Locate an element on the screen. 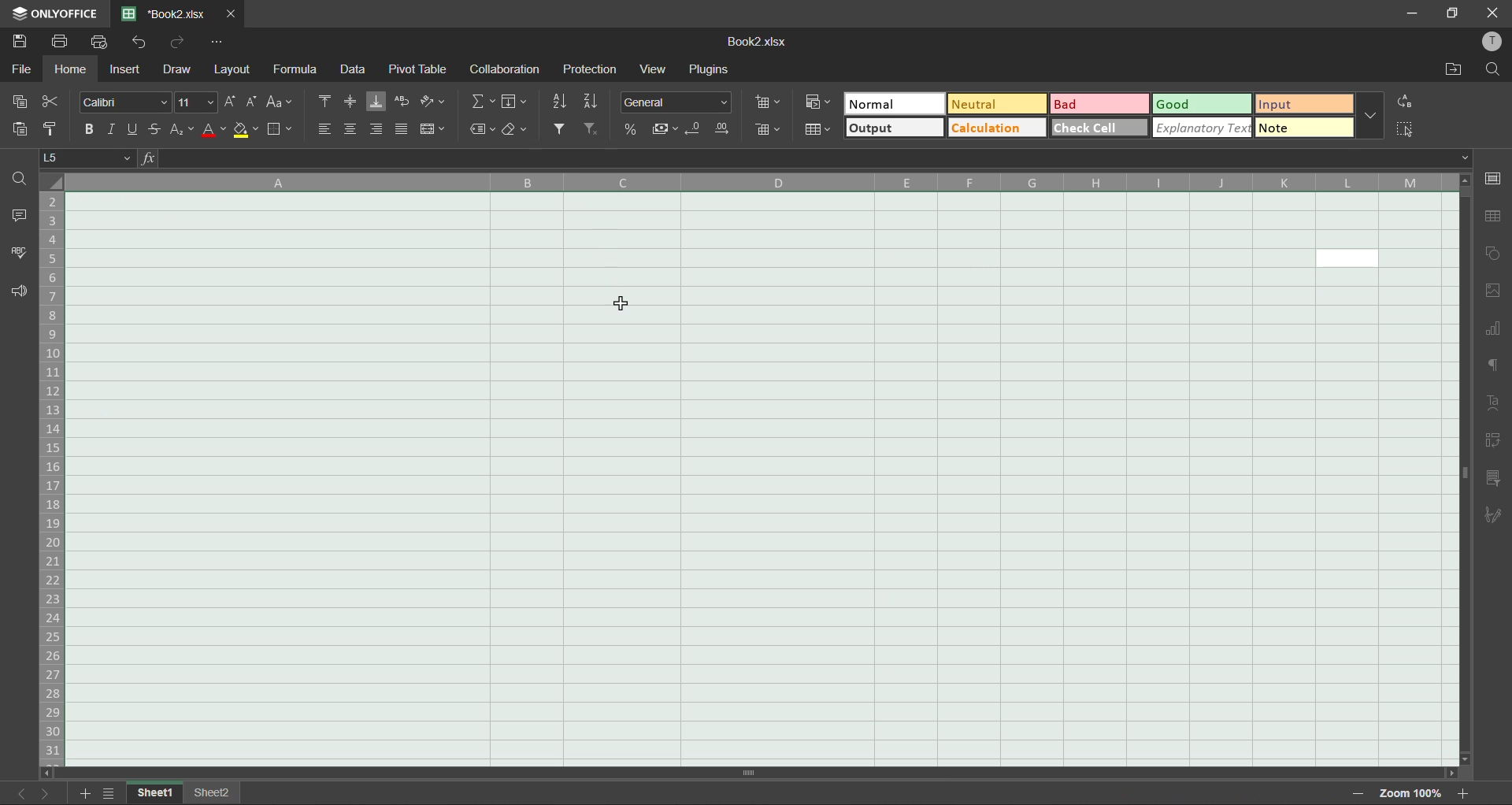 The height and width of the screenshot is (805, 1512). fill color is located at coordinates (246, 130).